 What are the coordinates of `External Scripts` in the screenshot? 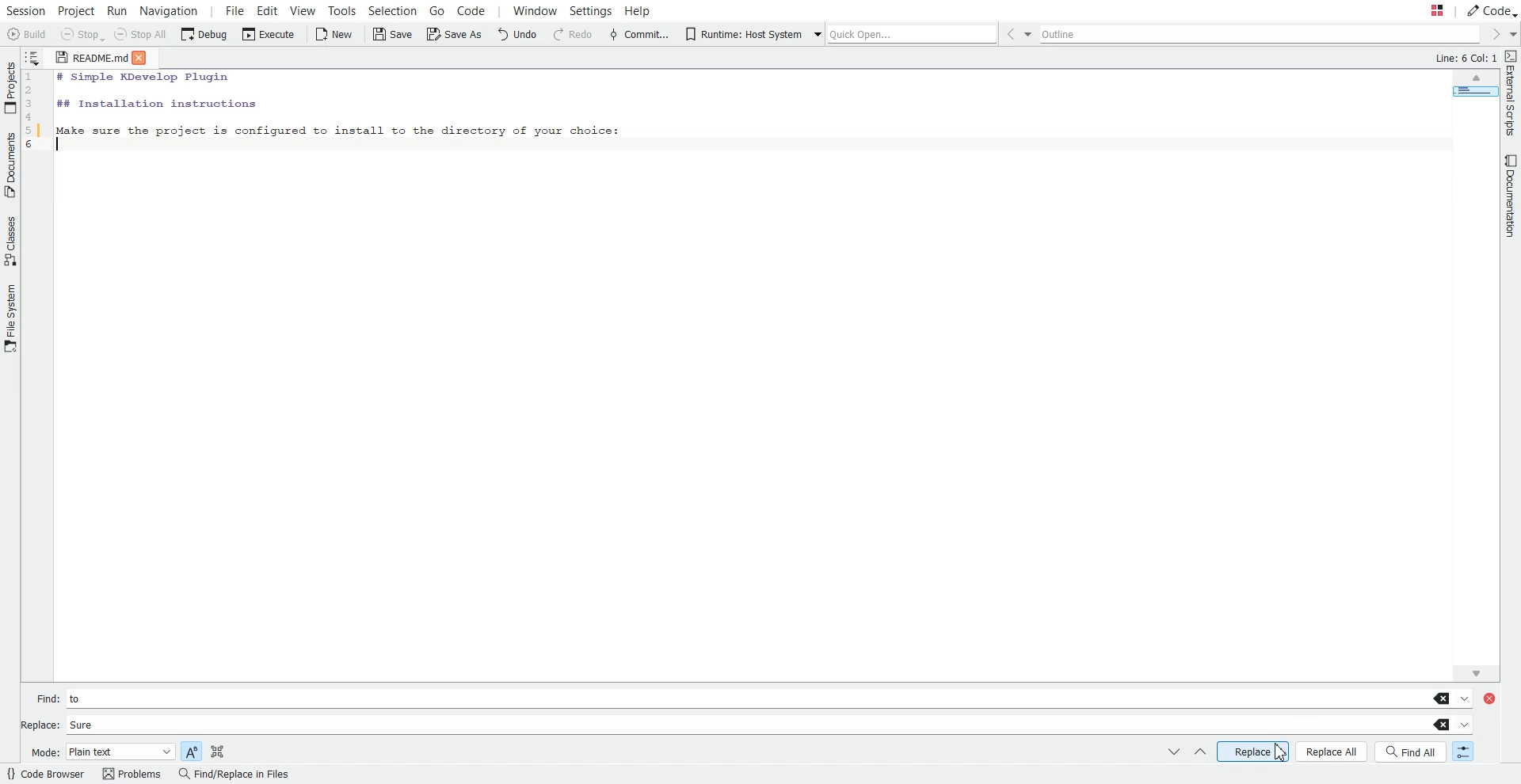 It's located at (1511, 93).